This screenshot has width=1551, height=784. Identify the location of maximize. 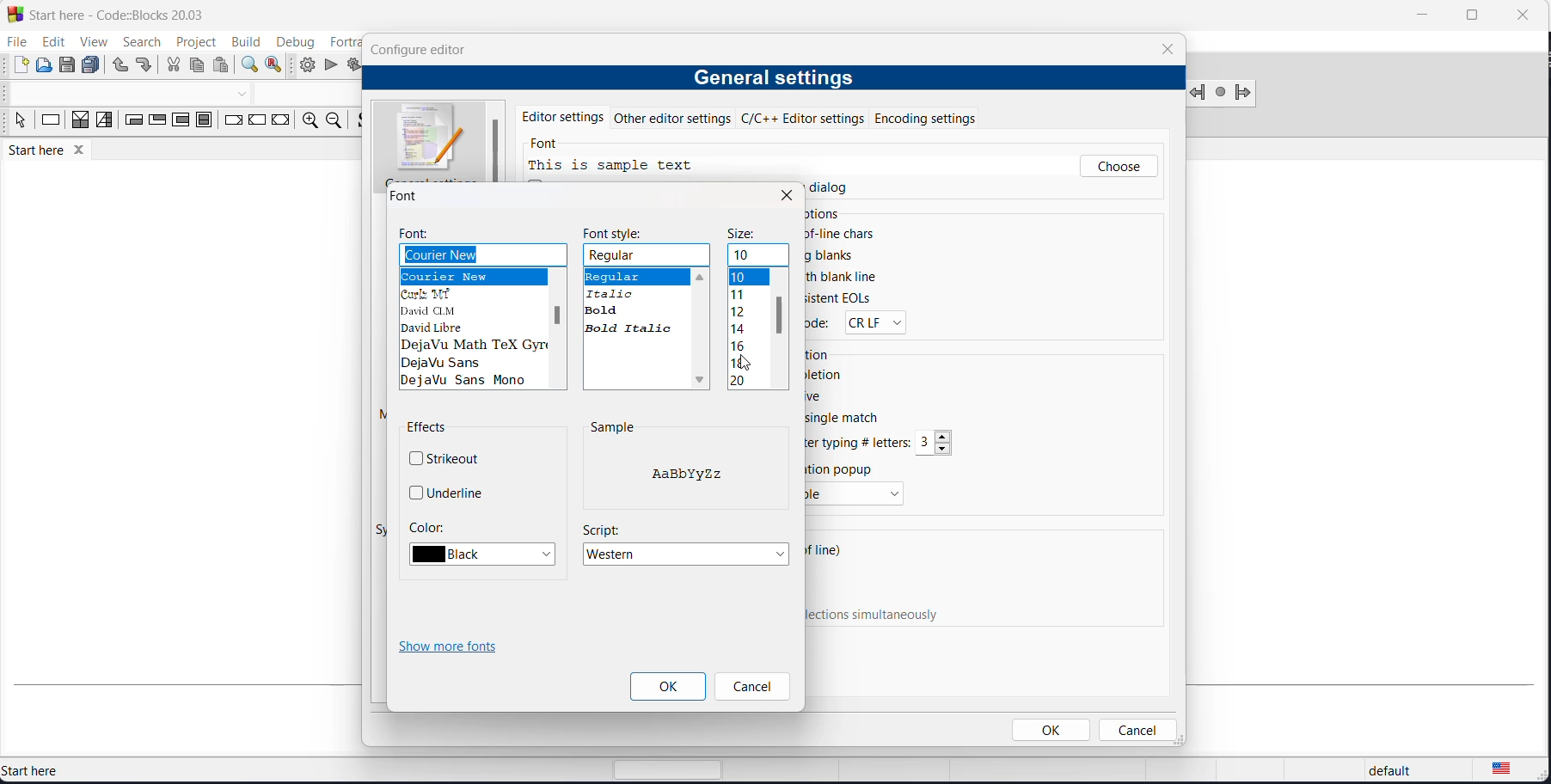
(1470, 15).